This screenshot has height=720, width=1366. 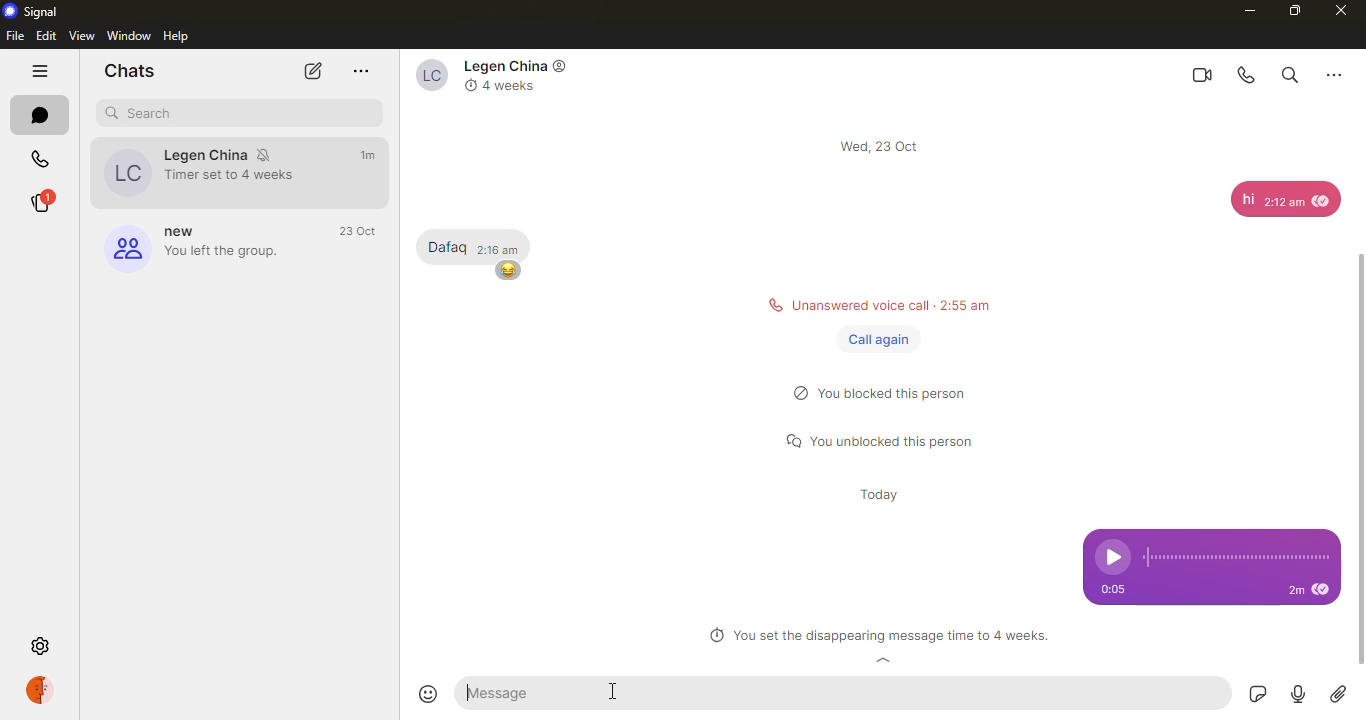 I want to click on 2:12 am, so click(x=1283, y=205).